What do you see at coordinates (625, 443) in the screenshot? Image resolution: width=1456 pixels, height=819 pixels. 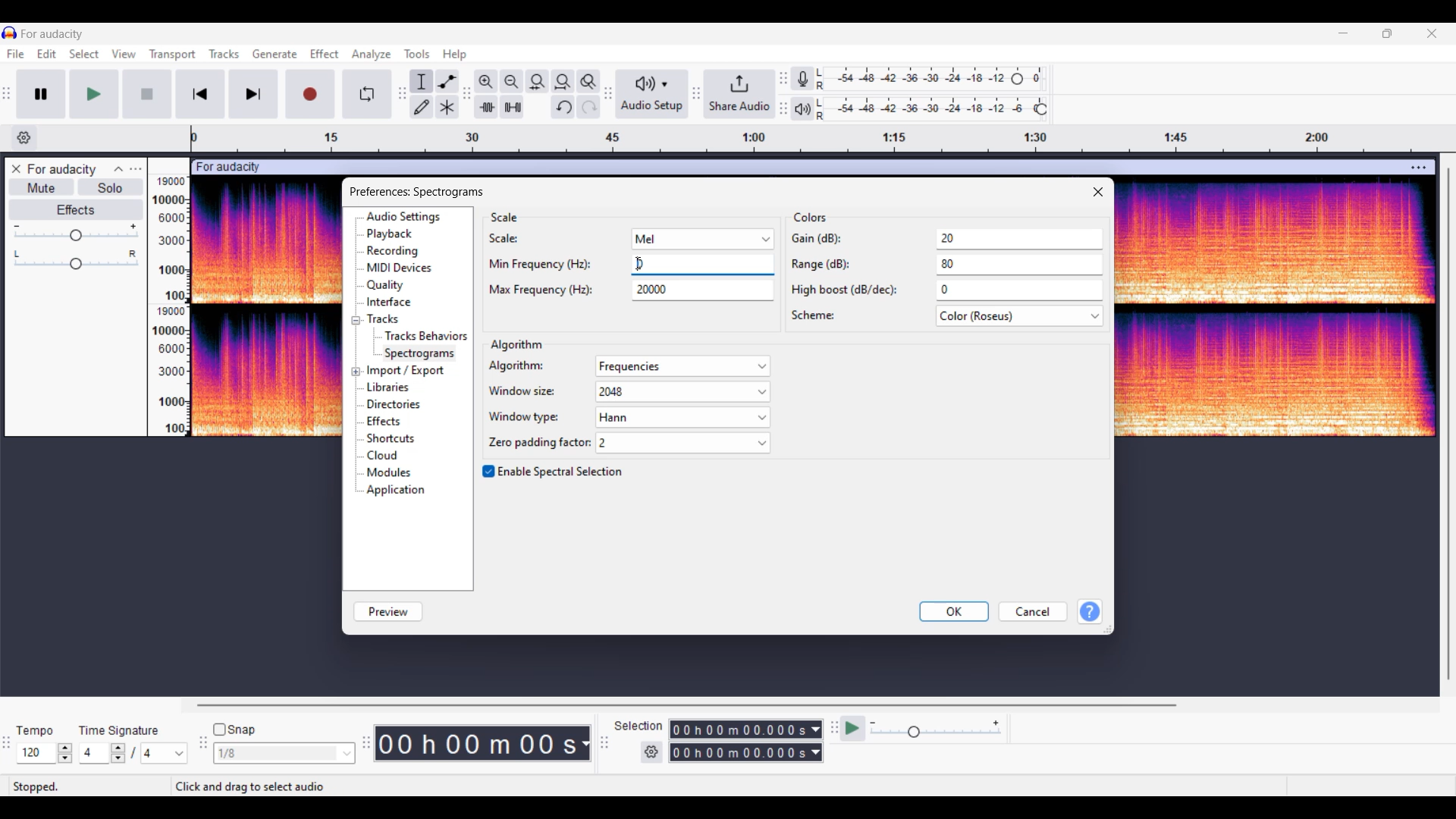 I see `zone padding factor` at bounding box center [625, 443].